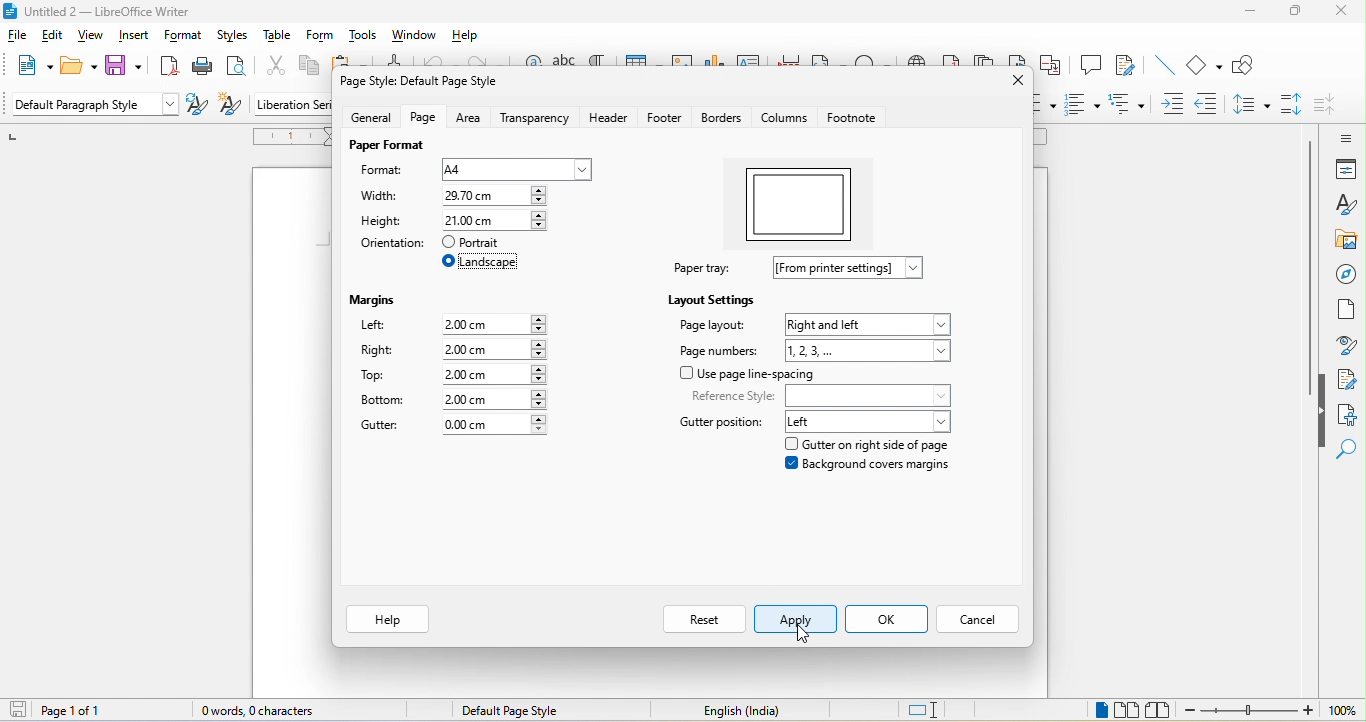  I want to click on properties, so click(1343, 169).